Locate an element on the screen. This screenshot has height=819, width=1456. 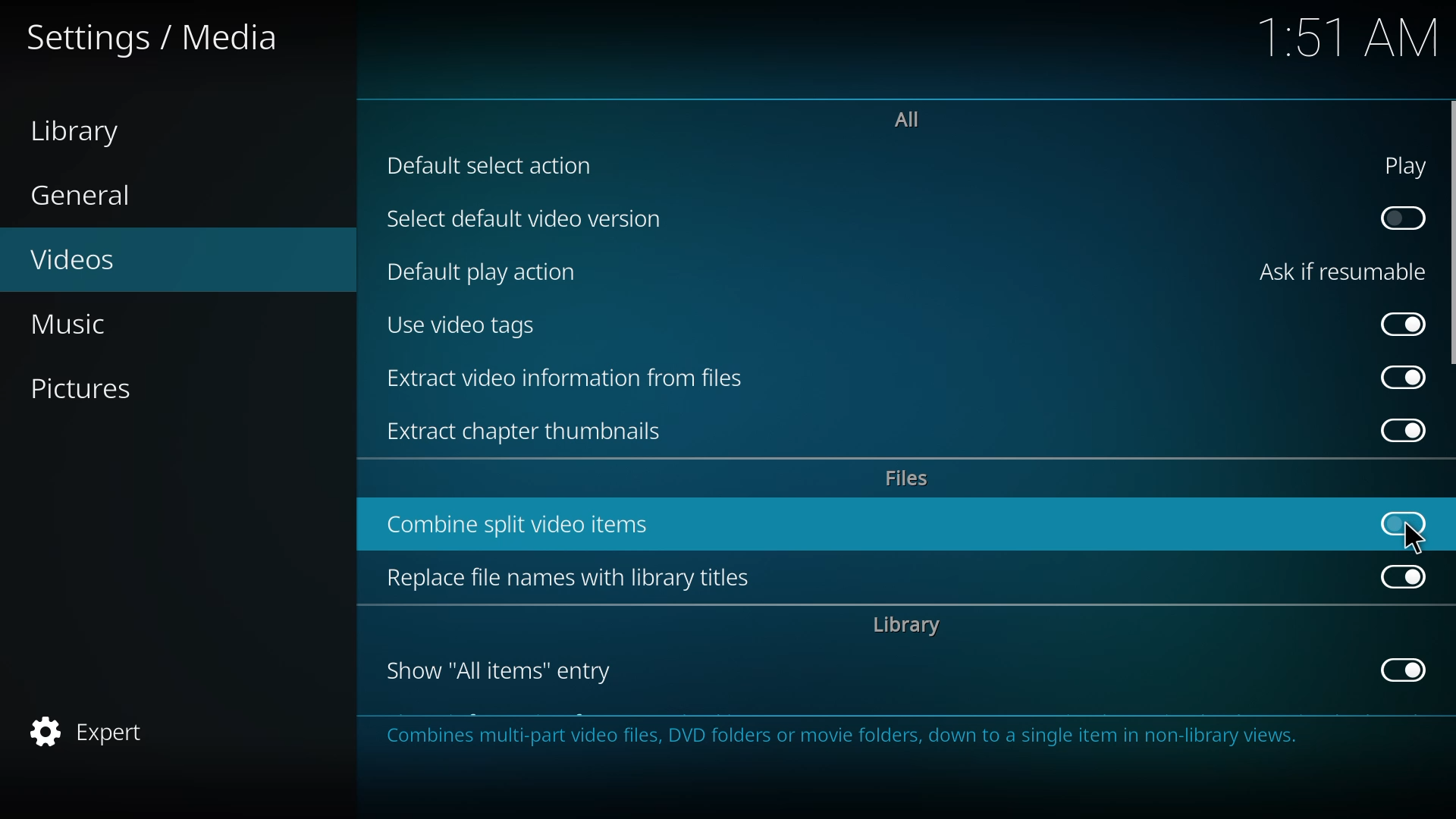
settings media is located at coordinates (153, 38).